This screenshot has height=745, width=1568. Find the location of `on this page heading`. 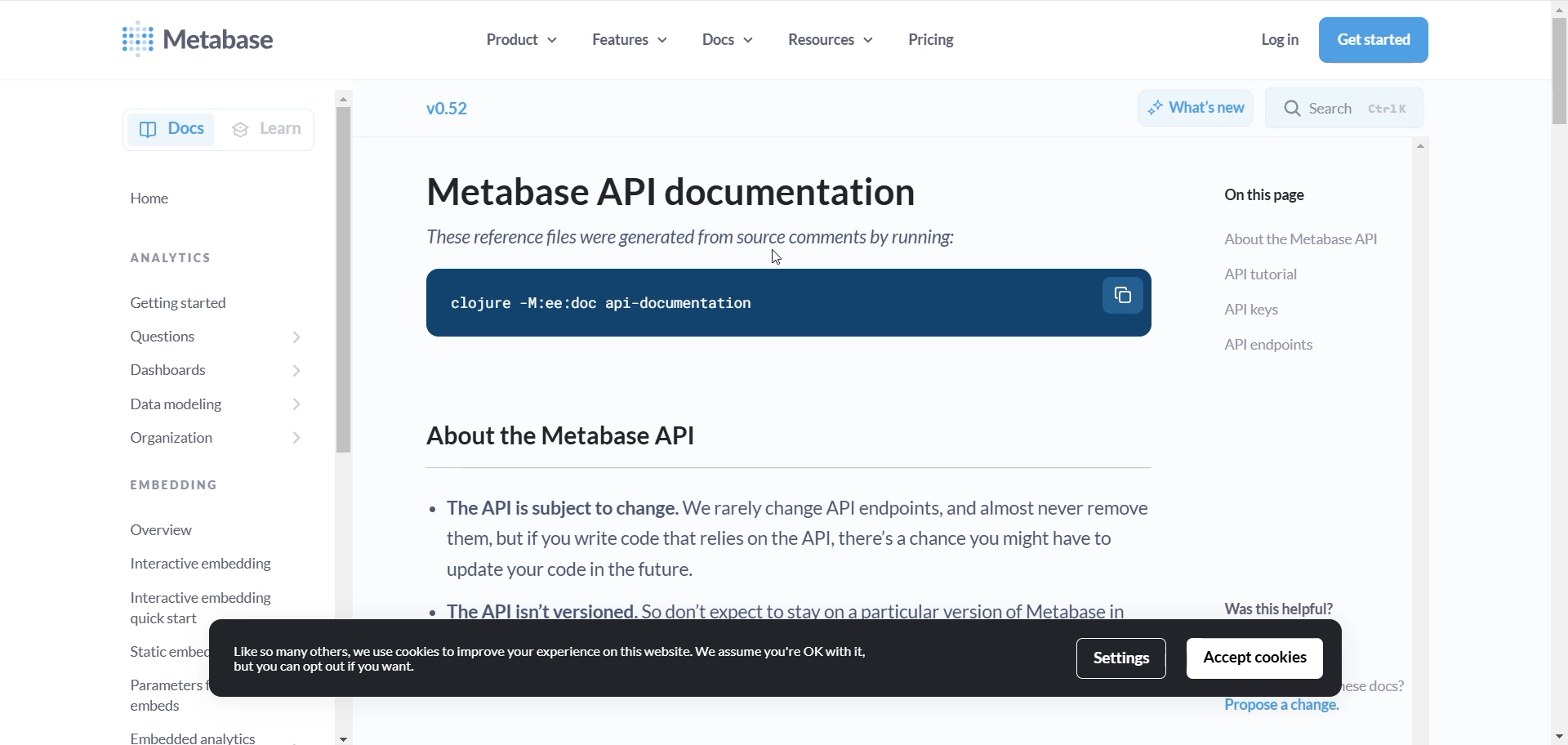

on this page heading is located at coordinates (1276, 195).